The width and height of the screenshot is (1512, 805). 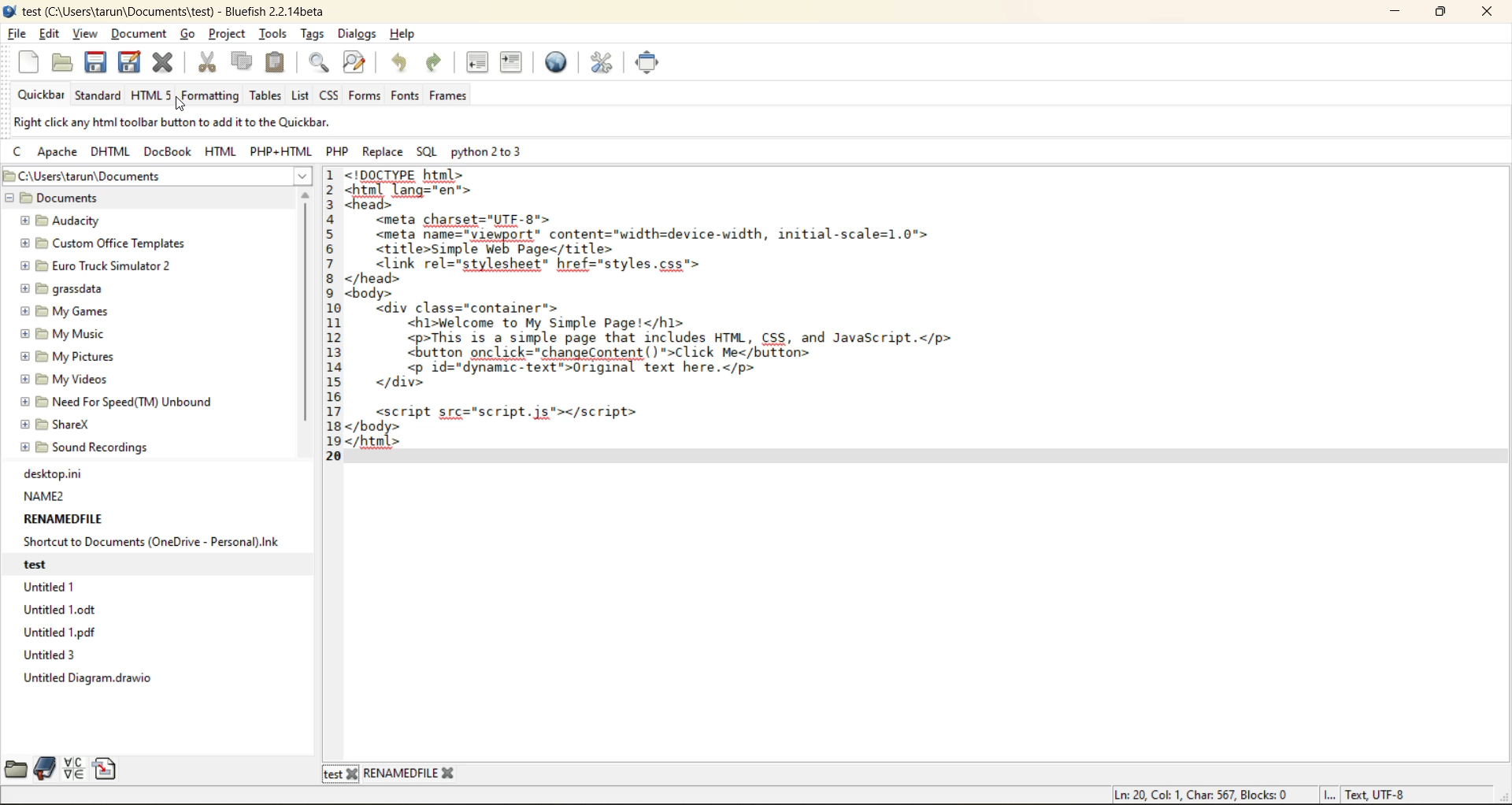 What do you see at coordinates (170, 148) in the screenshot?
I see `docbook` at bounding box center [170, 148].